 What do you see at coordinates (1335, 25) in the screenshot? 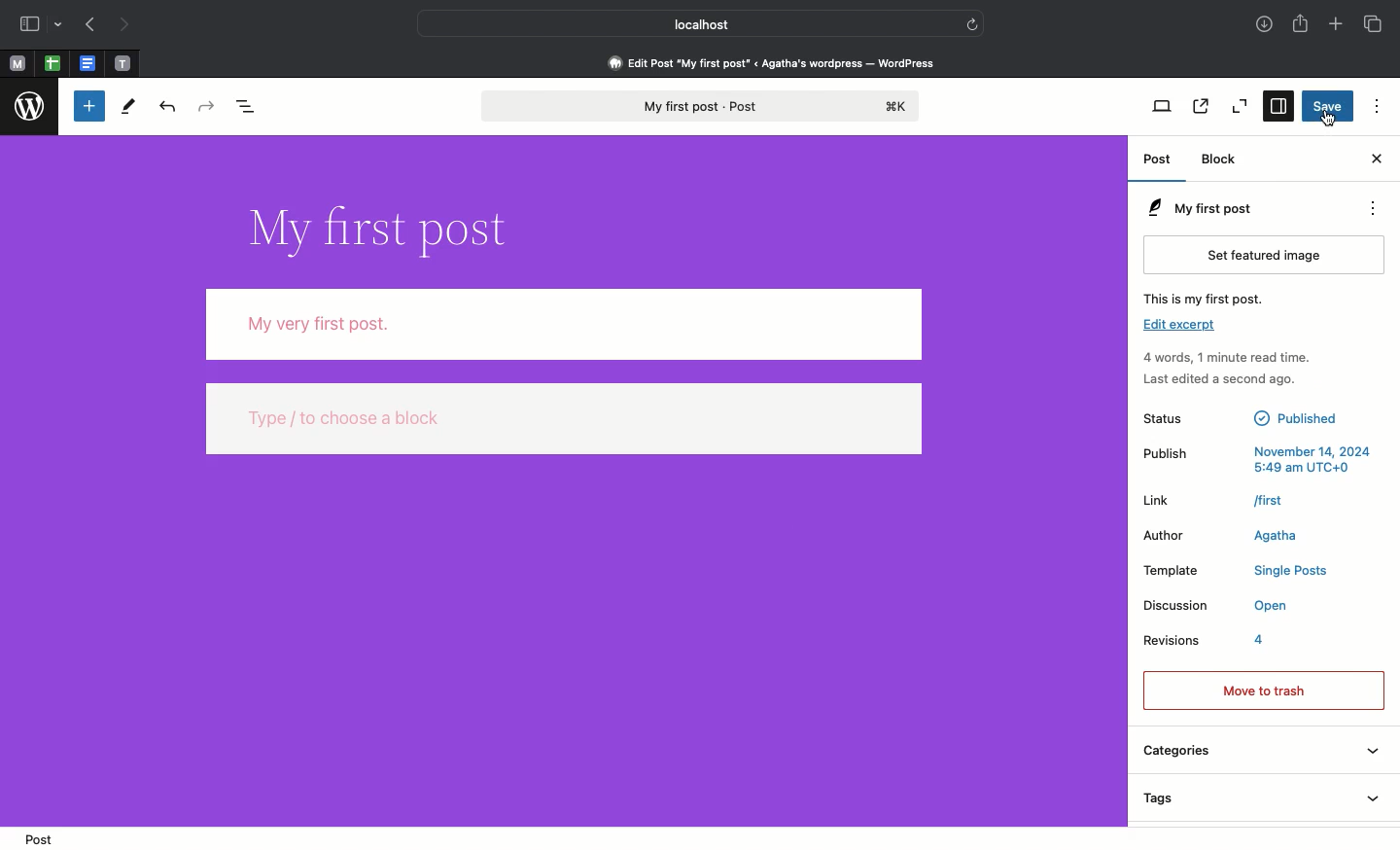
I see `Add new tab` at bounding box center [1335, 25].